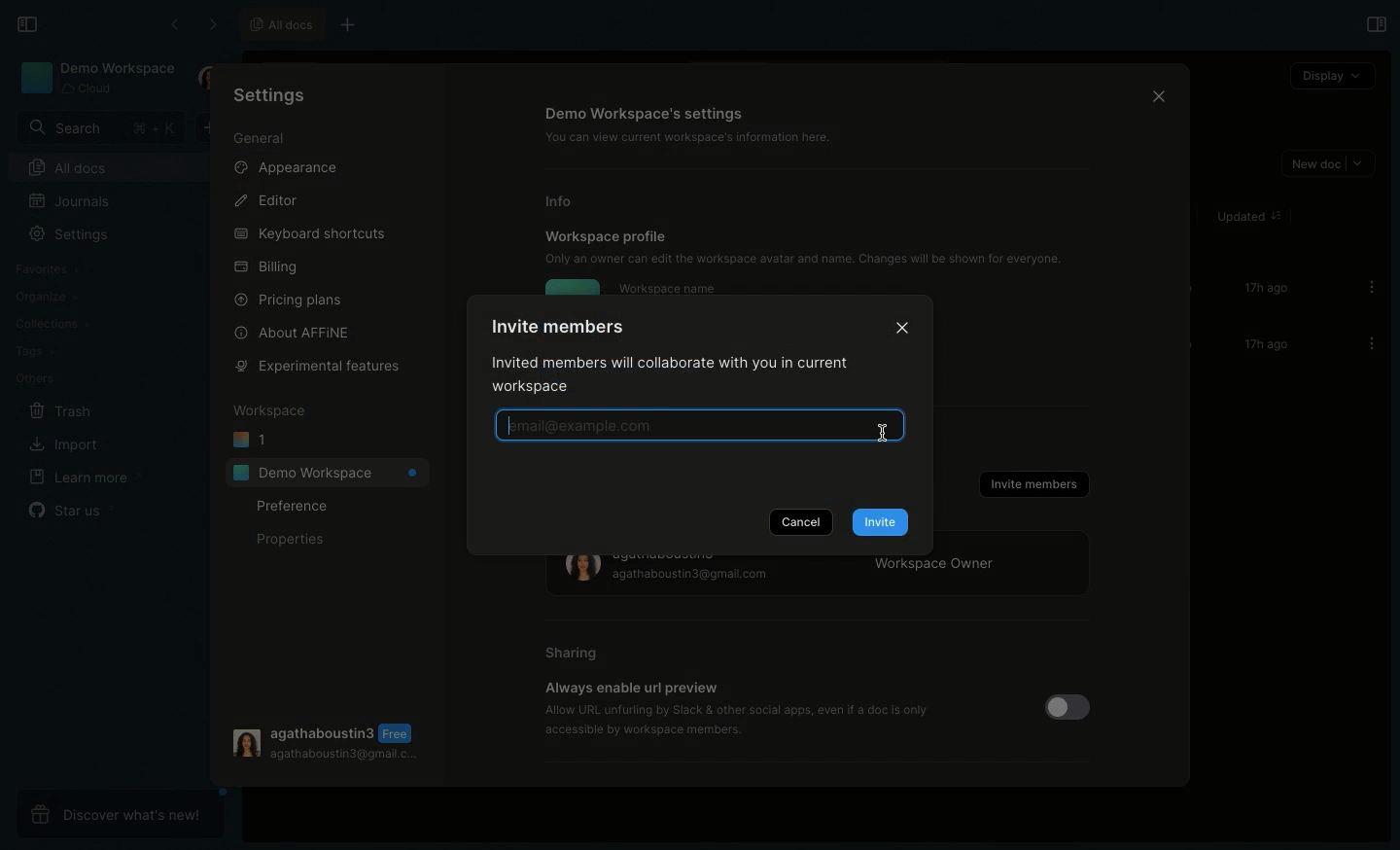 The image size is (1400, 850). What do you see at coordinates (280, 24) in the screenshot?
I see `All docs` at bounding box center [280, 24].